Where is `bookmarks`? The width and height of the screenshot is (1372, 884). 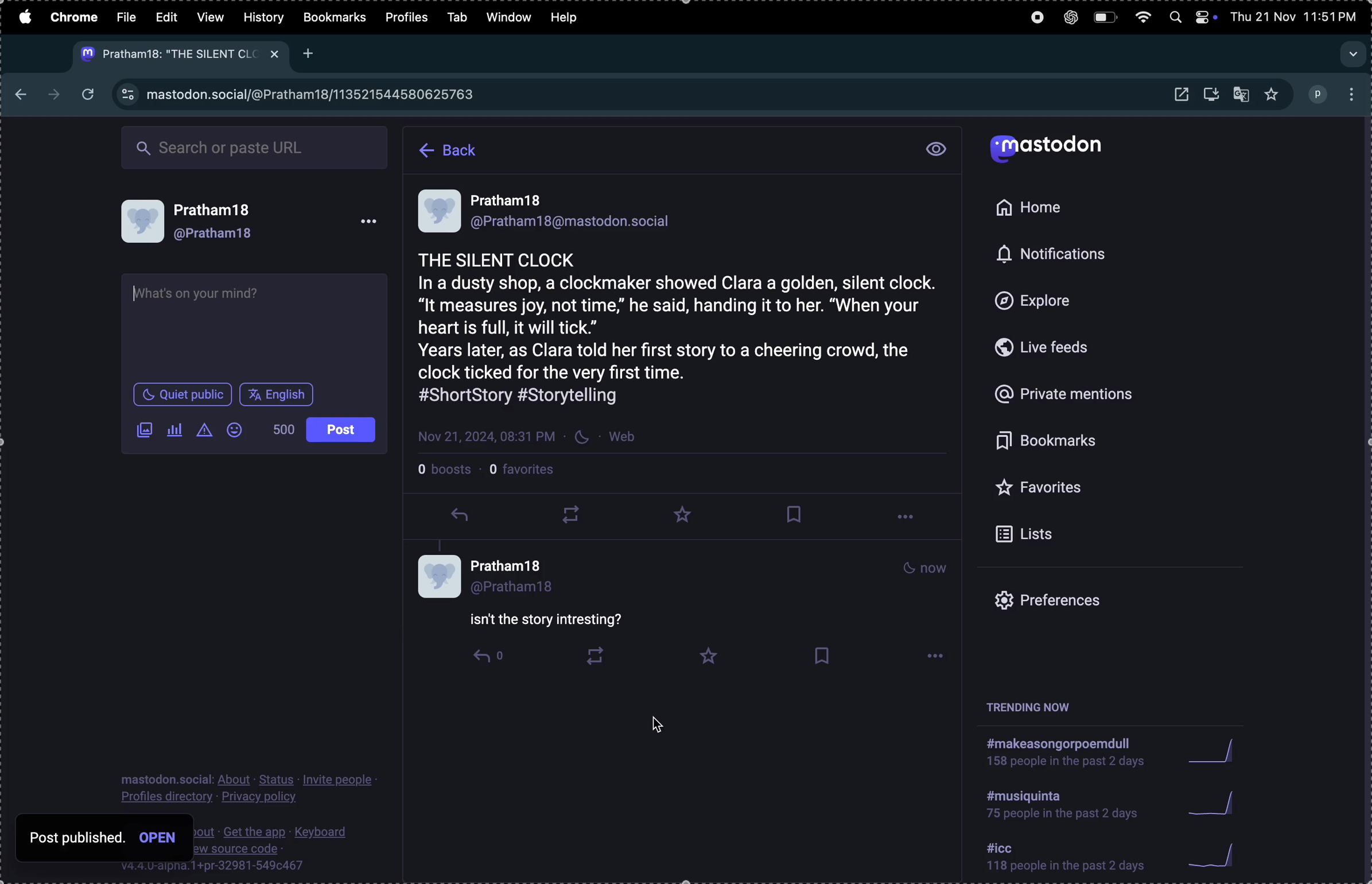 bookmarks is located at coordinates (334, 19).